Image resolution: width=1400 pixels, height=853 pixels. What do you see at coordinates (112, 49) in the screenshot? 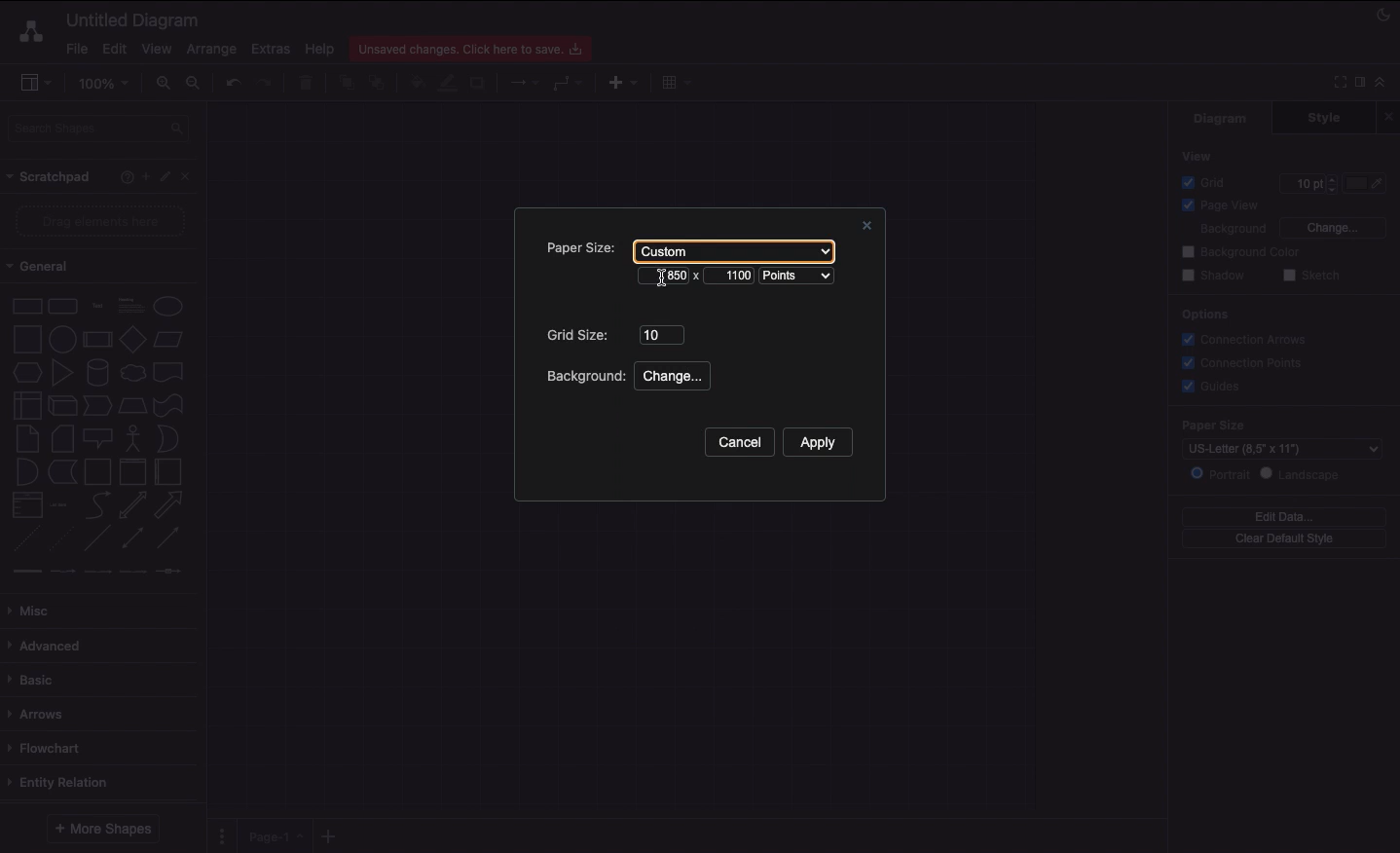
I see `Edit` at bounding box center [112, 49].